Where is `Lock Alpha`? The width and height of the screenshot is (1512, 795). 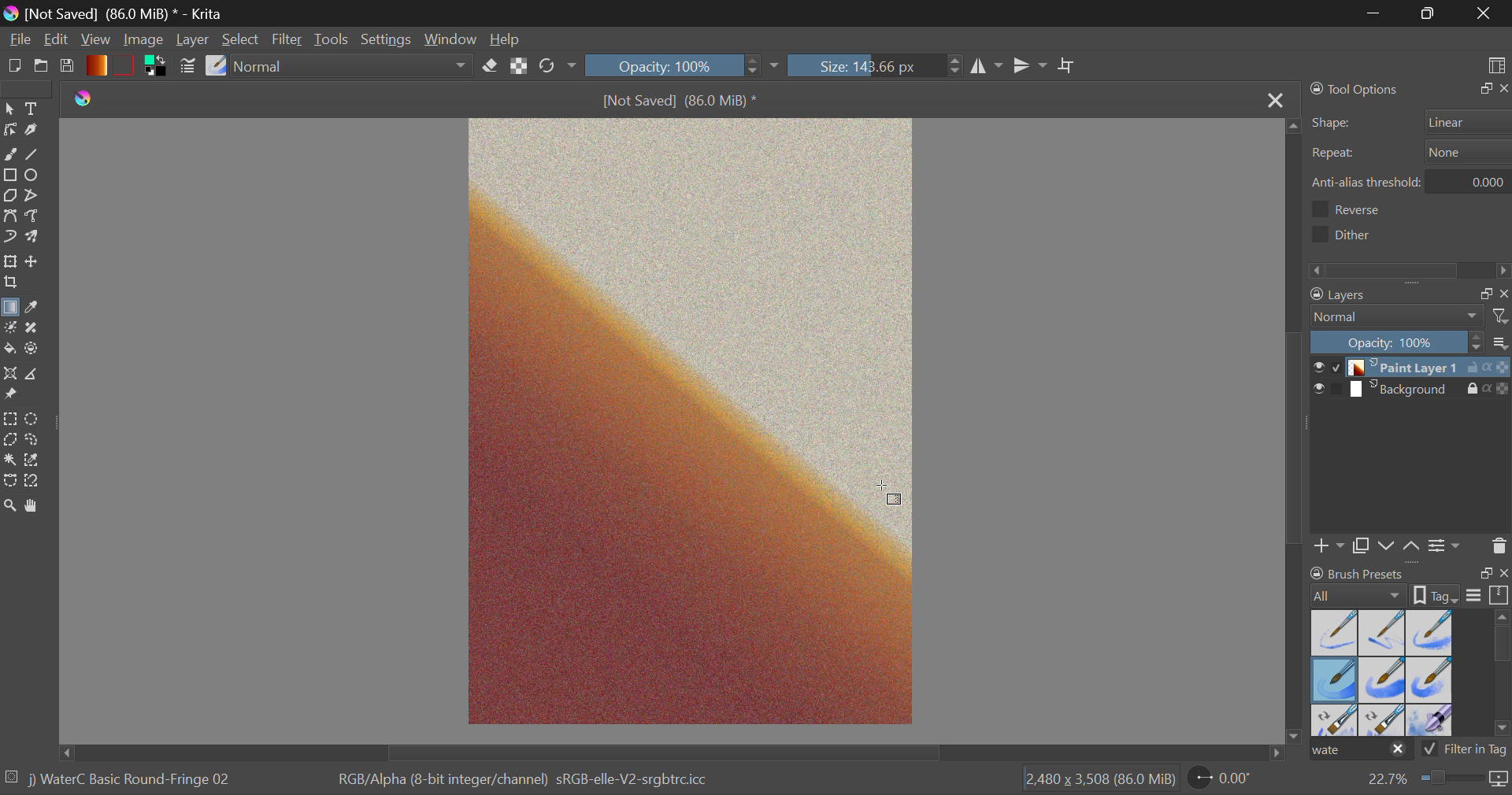
Lock Alpha is located at coordinates (519, 68).